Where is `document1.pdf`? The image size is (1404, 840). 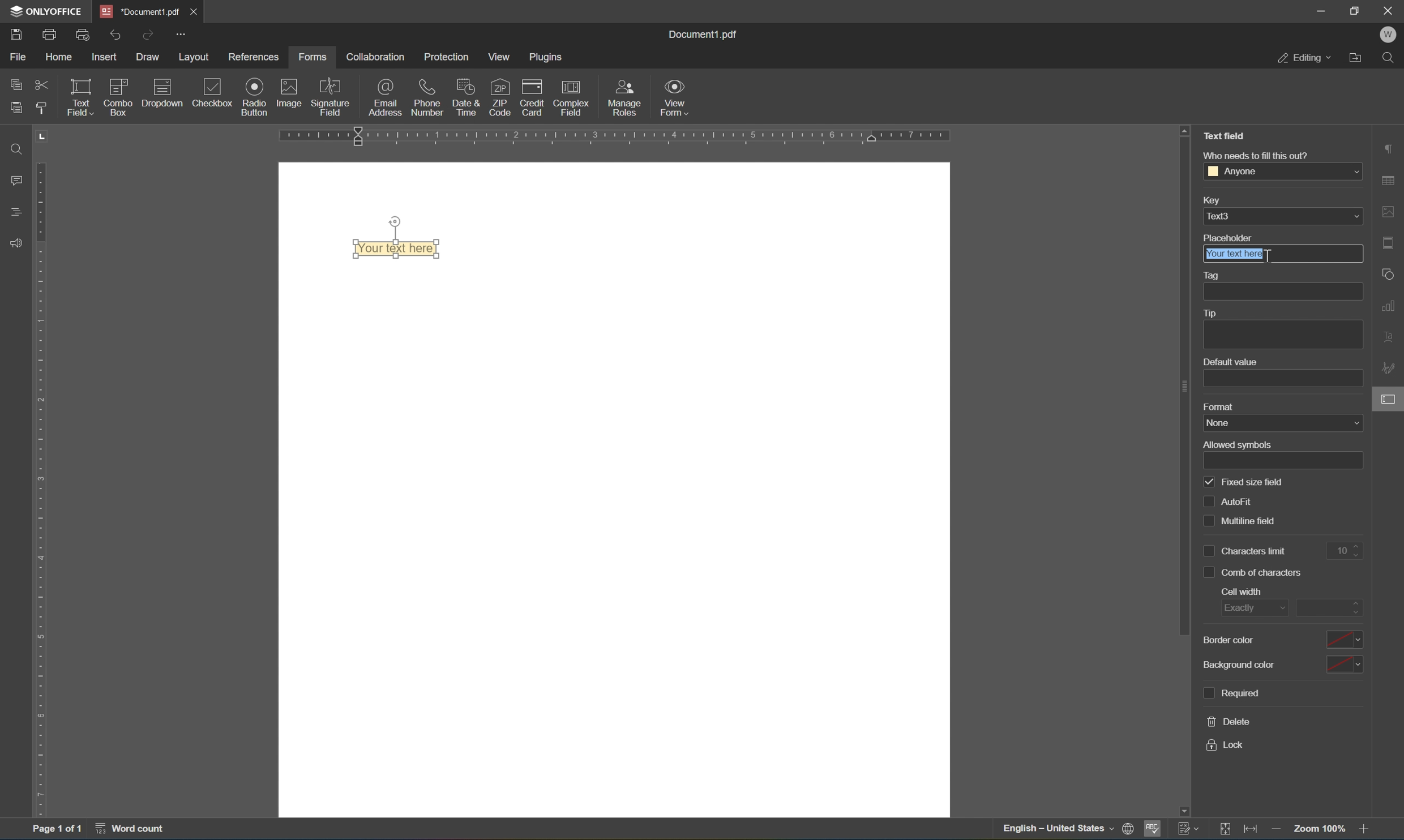 document1.pdf is located at coordinates (702, 36).